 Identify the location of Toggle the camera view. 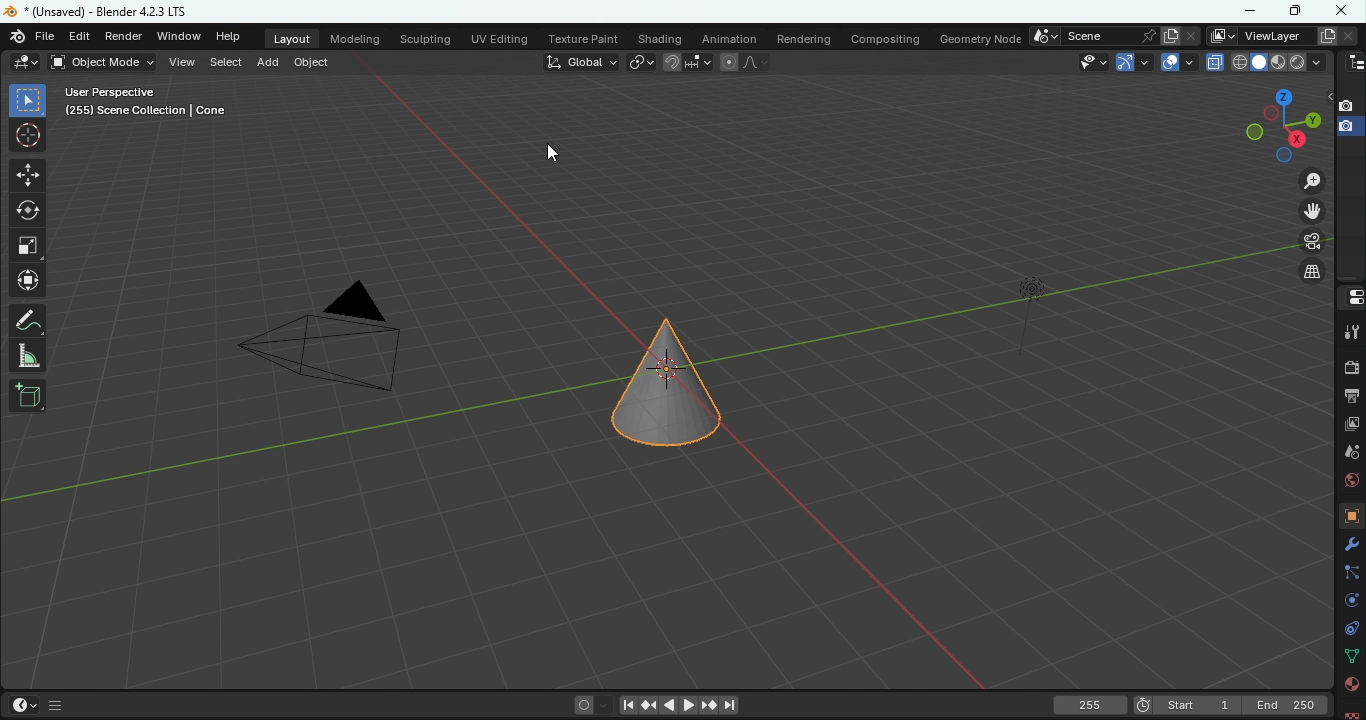
(1313, 244).